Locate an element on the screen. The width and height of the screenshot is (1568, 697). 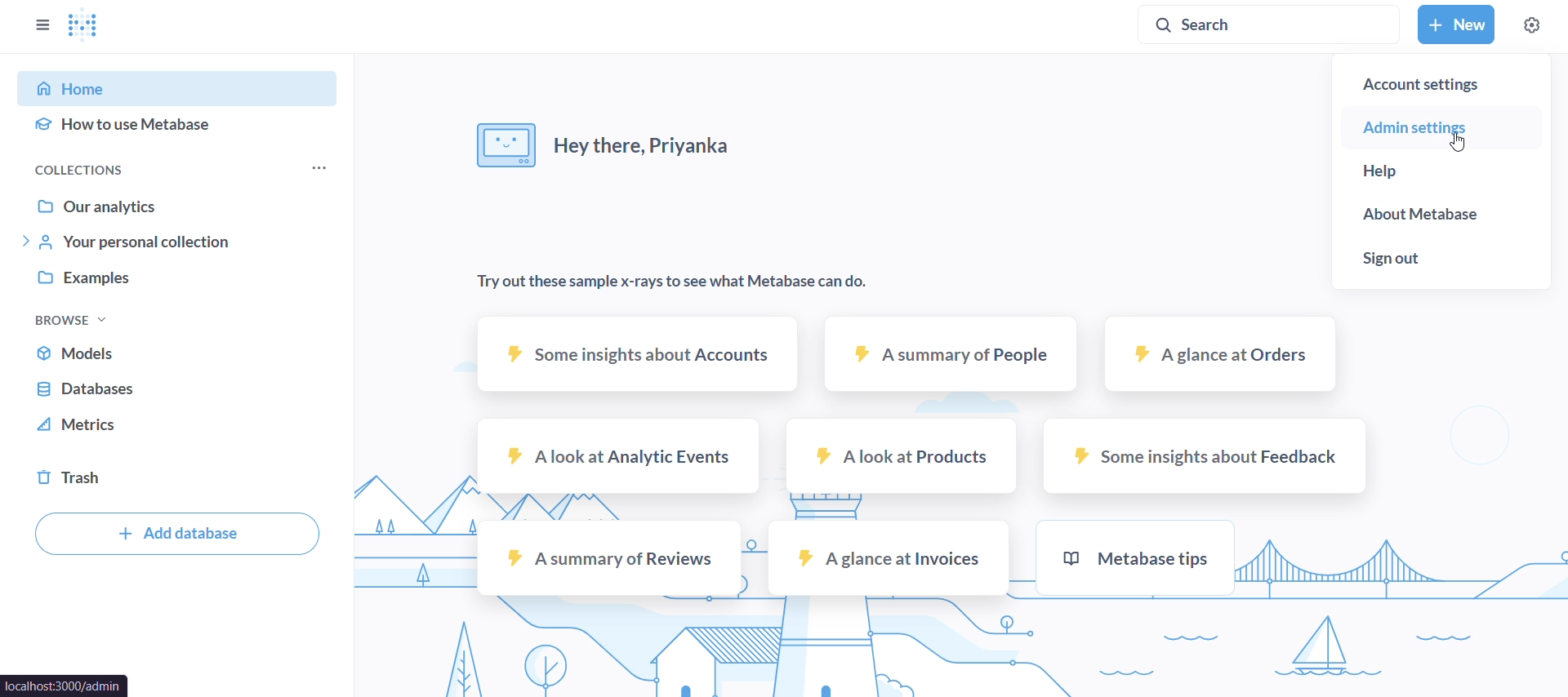
more is located at coordinates (317, 166).